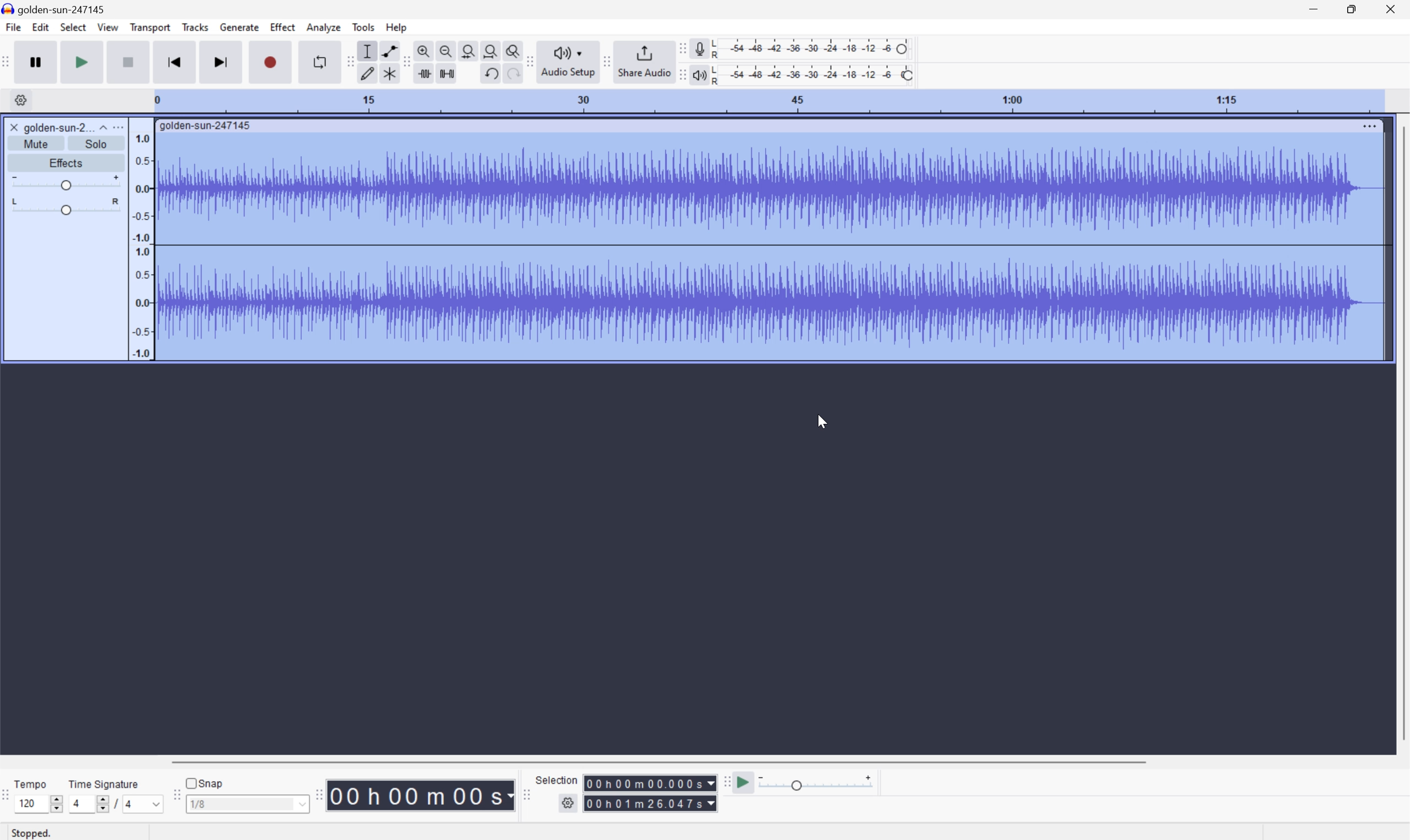 The width and height of the screenshot is (1410, 840). What do you see at coordinates (31, 783) in the screenshot?
I see `Tempo` at bounding box center [31, 783].